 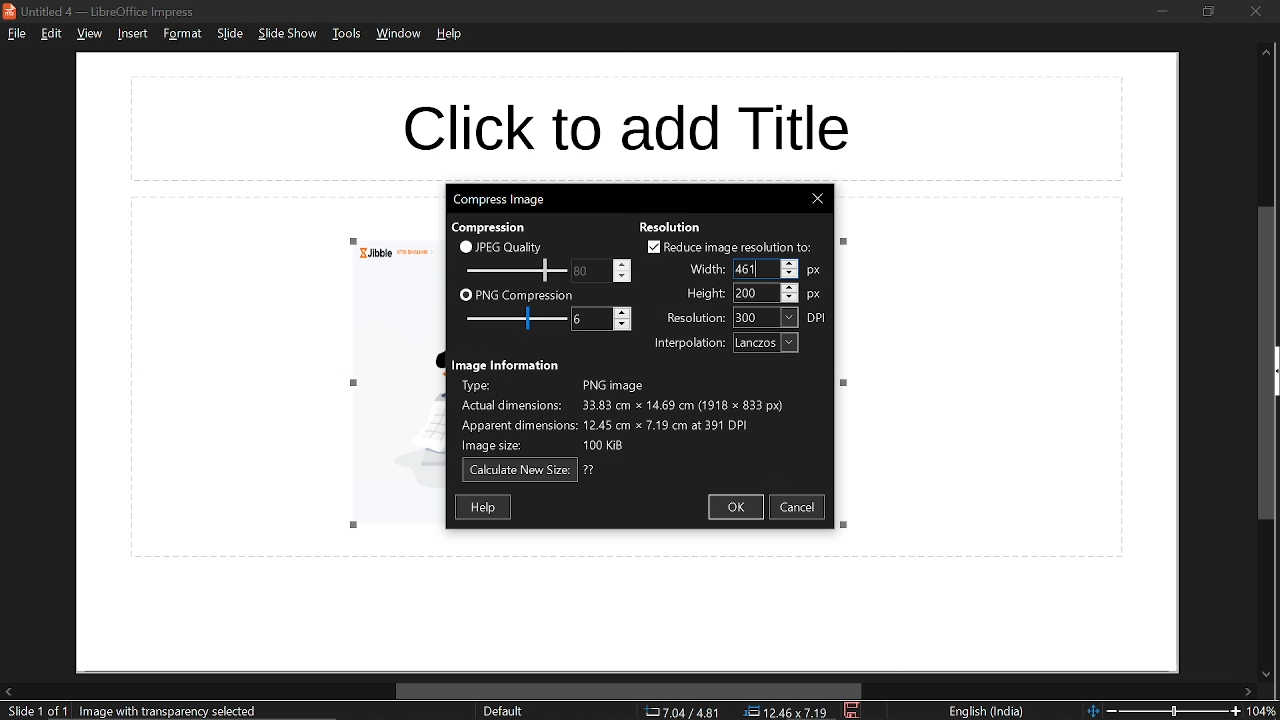 What do you see at coordinates (791, 298) in the screenshot?
I see `Decrease ` at bounding box center [791, 298].